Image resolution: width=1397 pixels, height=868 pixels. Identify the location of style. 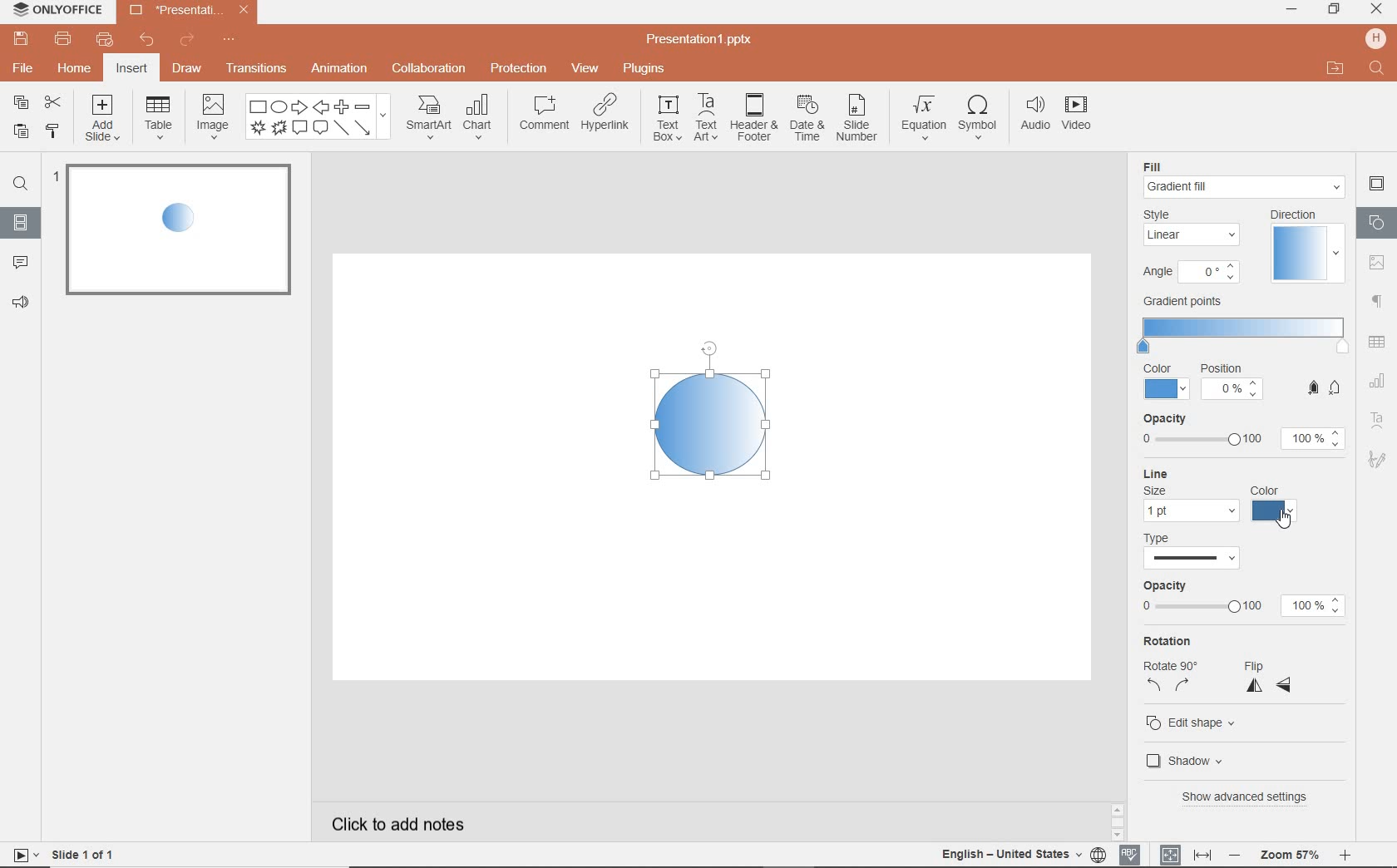
(1194, 228).